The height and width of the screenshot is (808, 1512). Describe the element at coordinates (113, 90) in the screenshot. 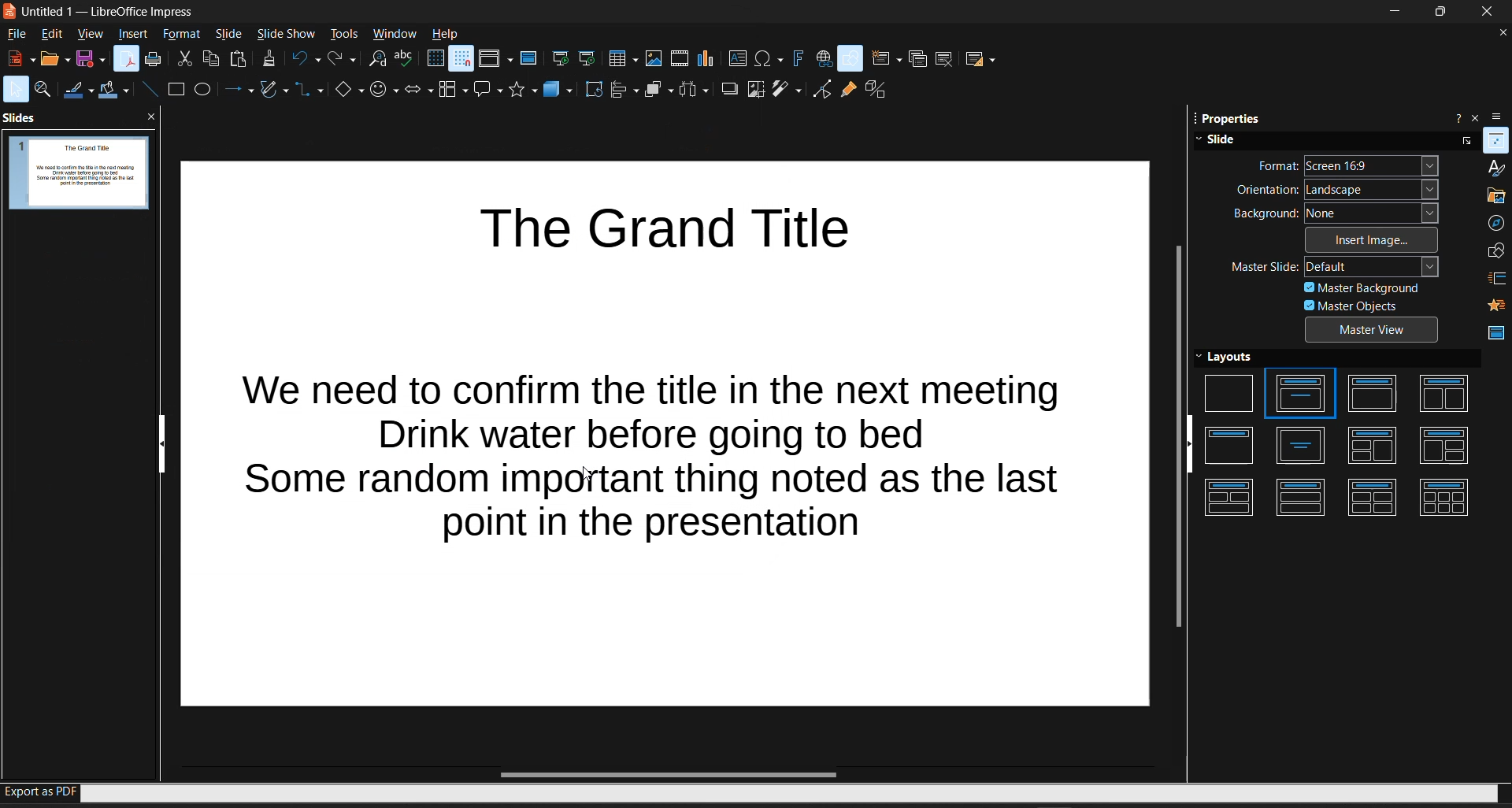

I see `fill color` at that location.